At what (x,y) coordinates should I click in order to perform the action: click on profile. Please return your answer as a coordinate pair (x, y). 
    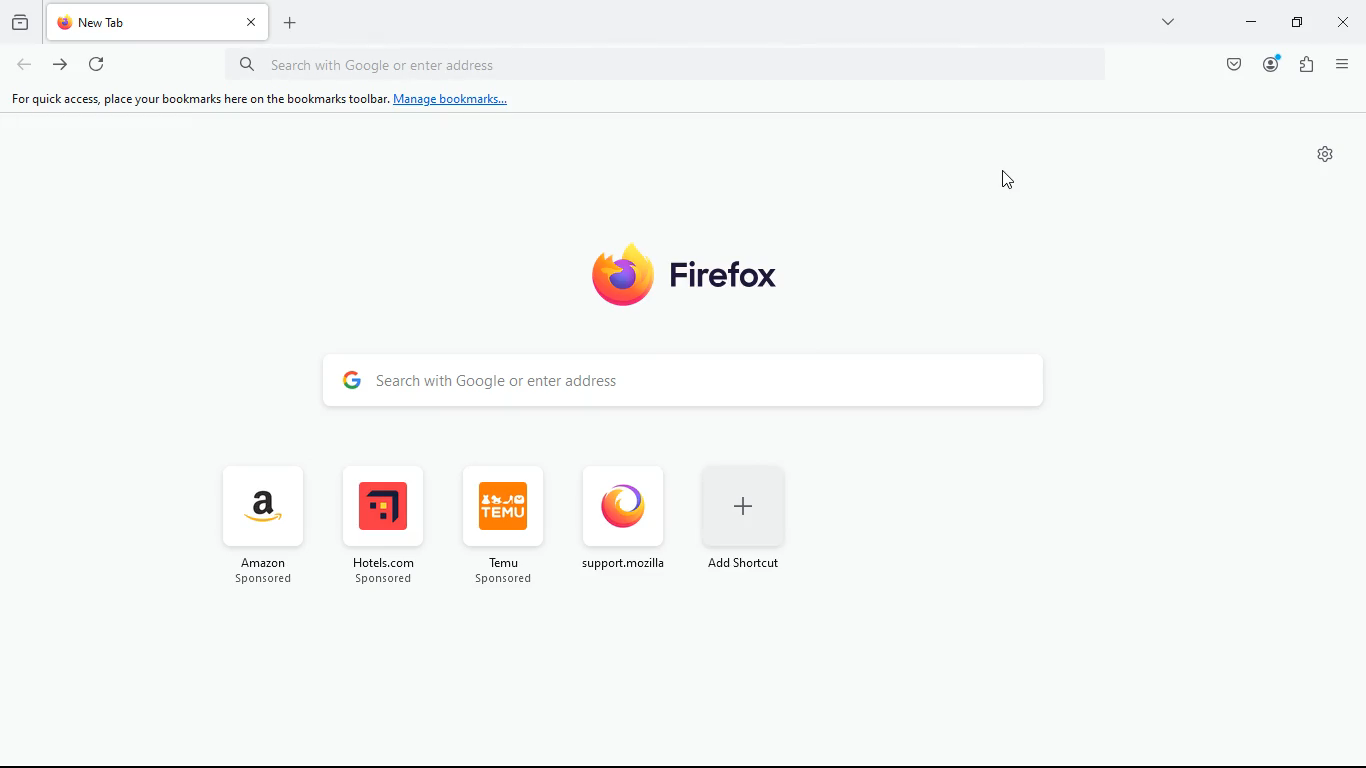
    Looking at the image, I should click on (1270, 64).